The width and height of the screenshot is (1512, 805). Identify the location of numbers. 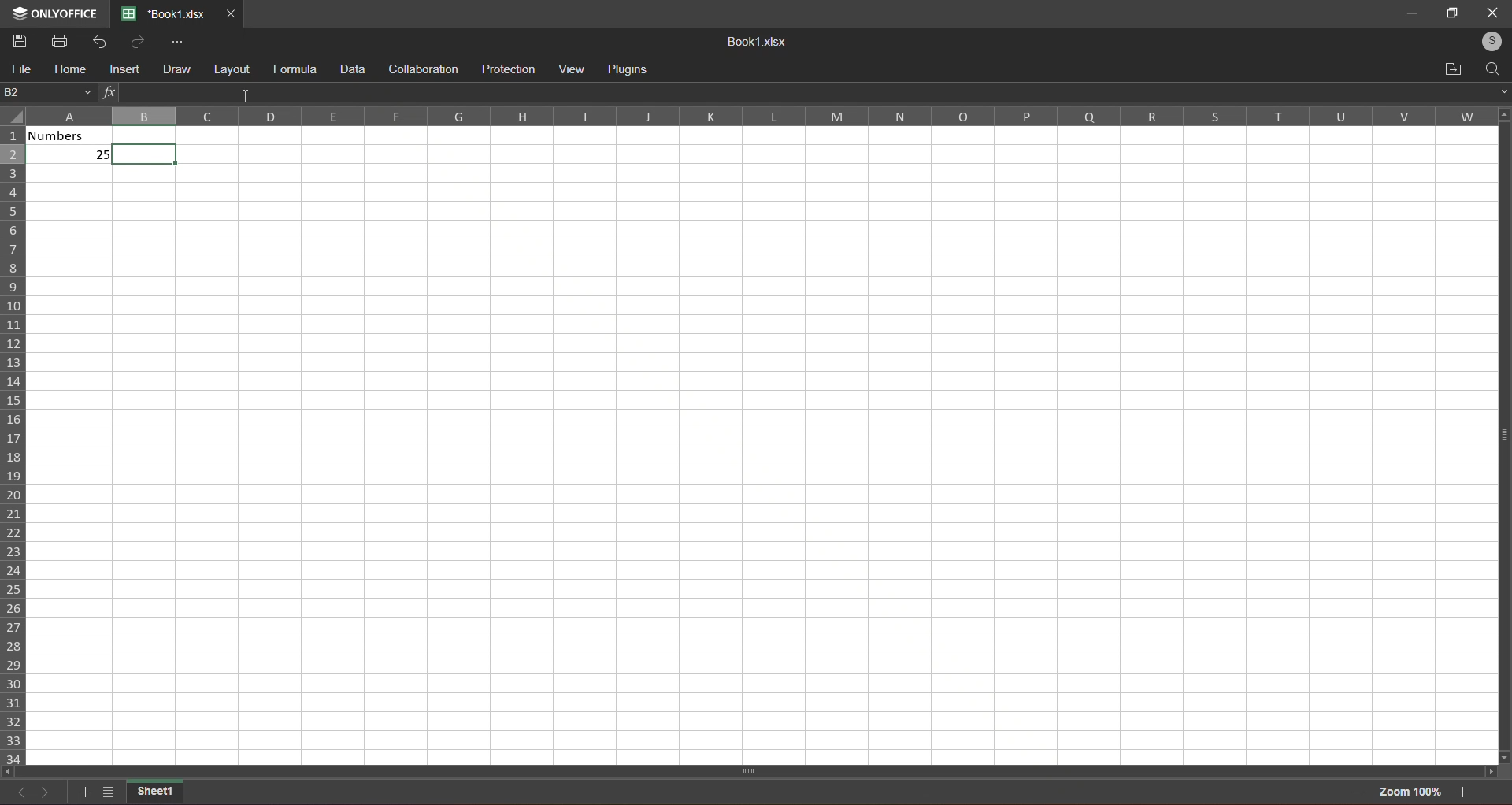
(74, 149).